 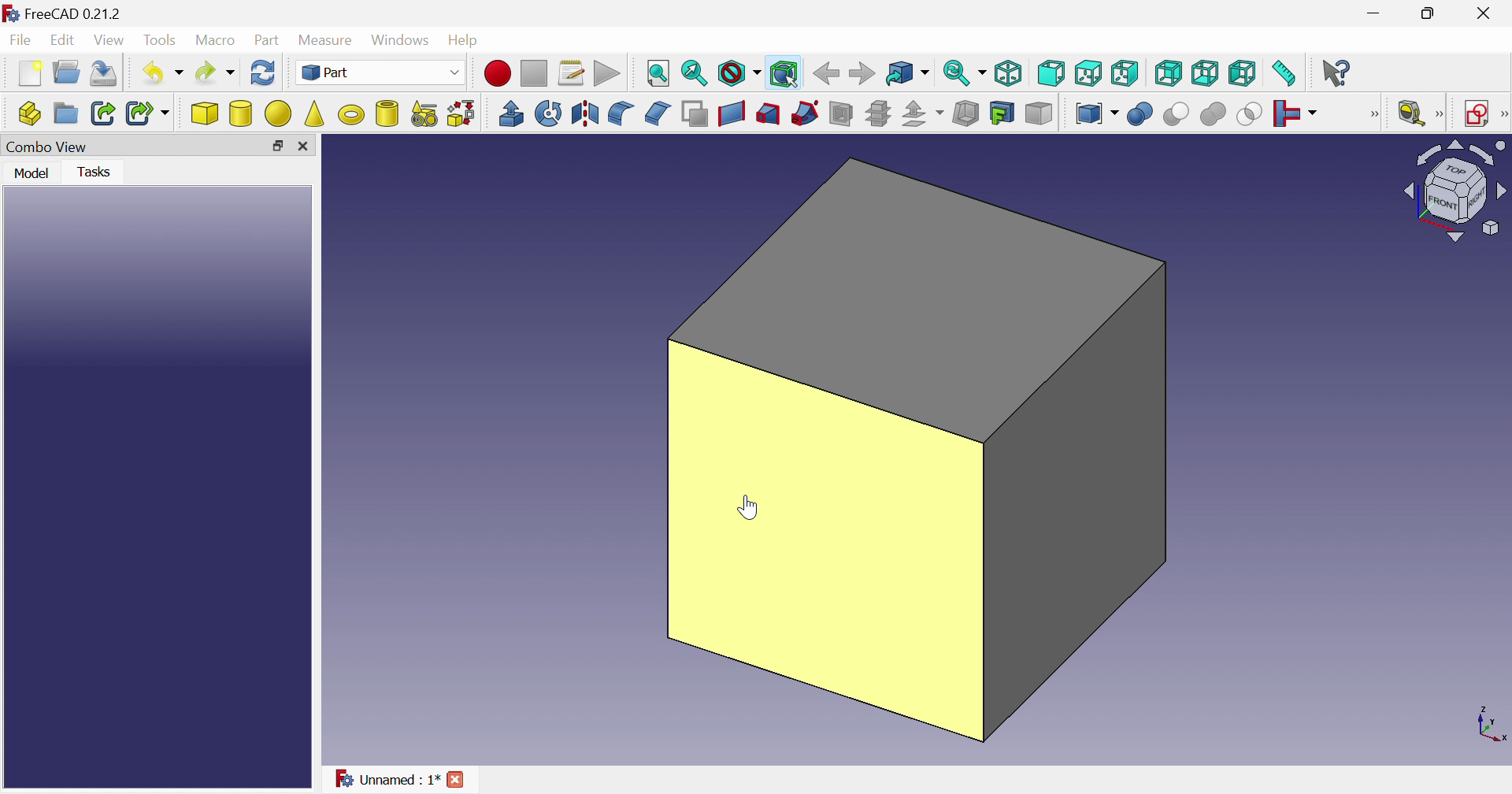 What do you see at coordinates (923, 114) in the screenshot?
I see `Offset:` at bounding box center [923, 114].